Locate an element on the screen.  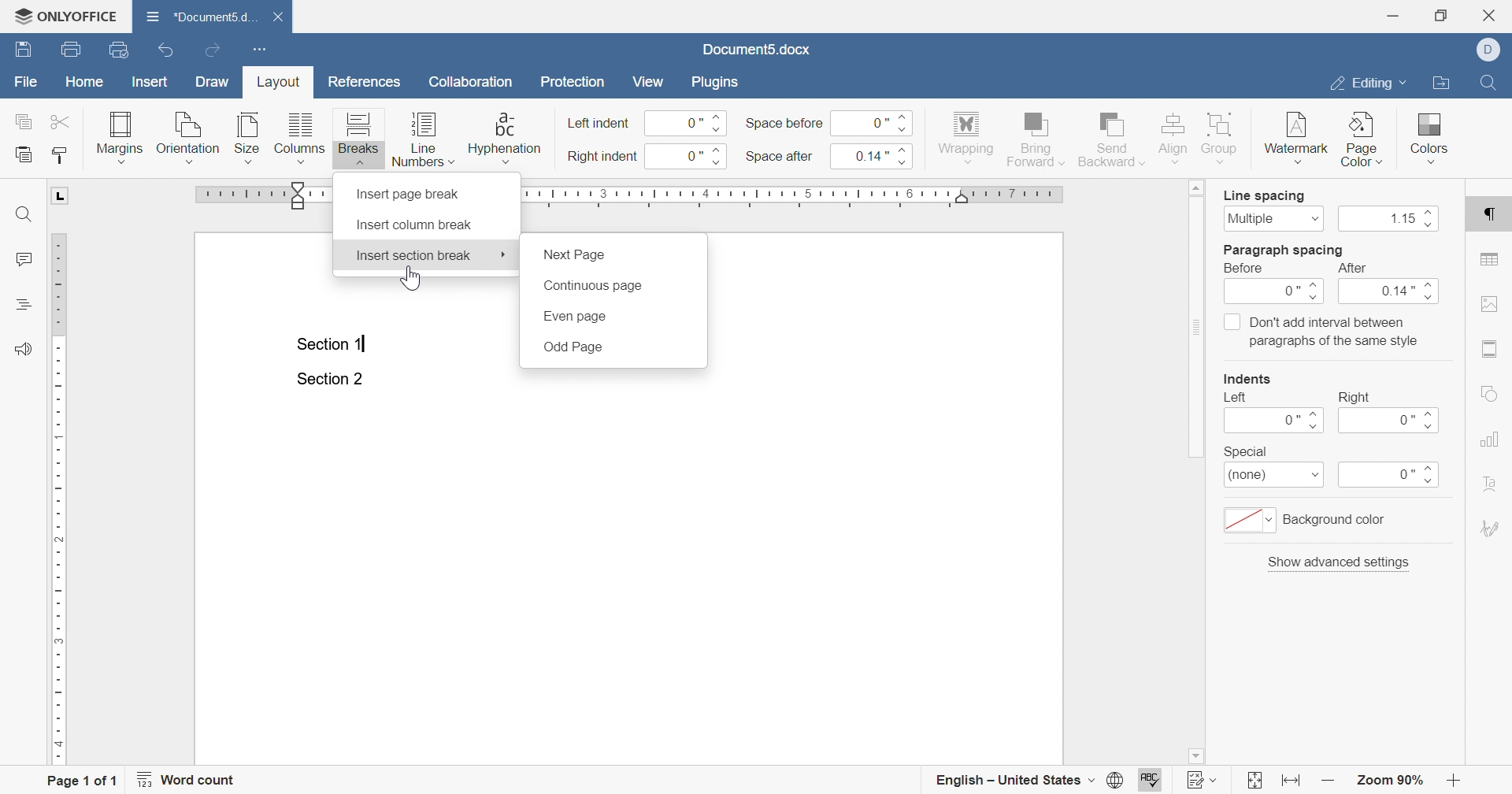
insert column break is located at coordinates (414, 225).